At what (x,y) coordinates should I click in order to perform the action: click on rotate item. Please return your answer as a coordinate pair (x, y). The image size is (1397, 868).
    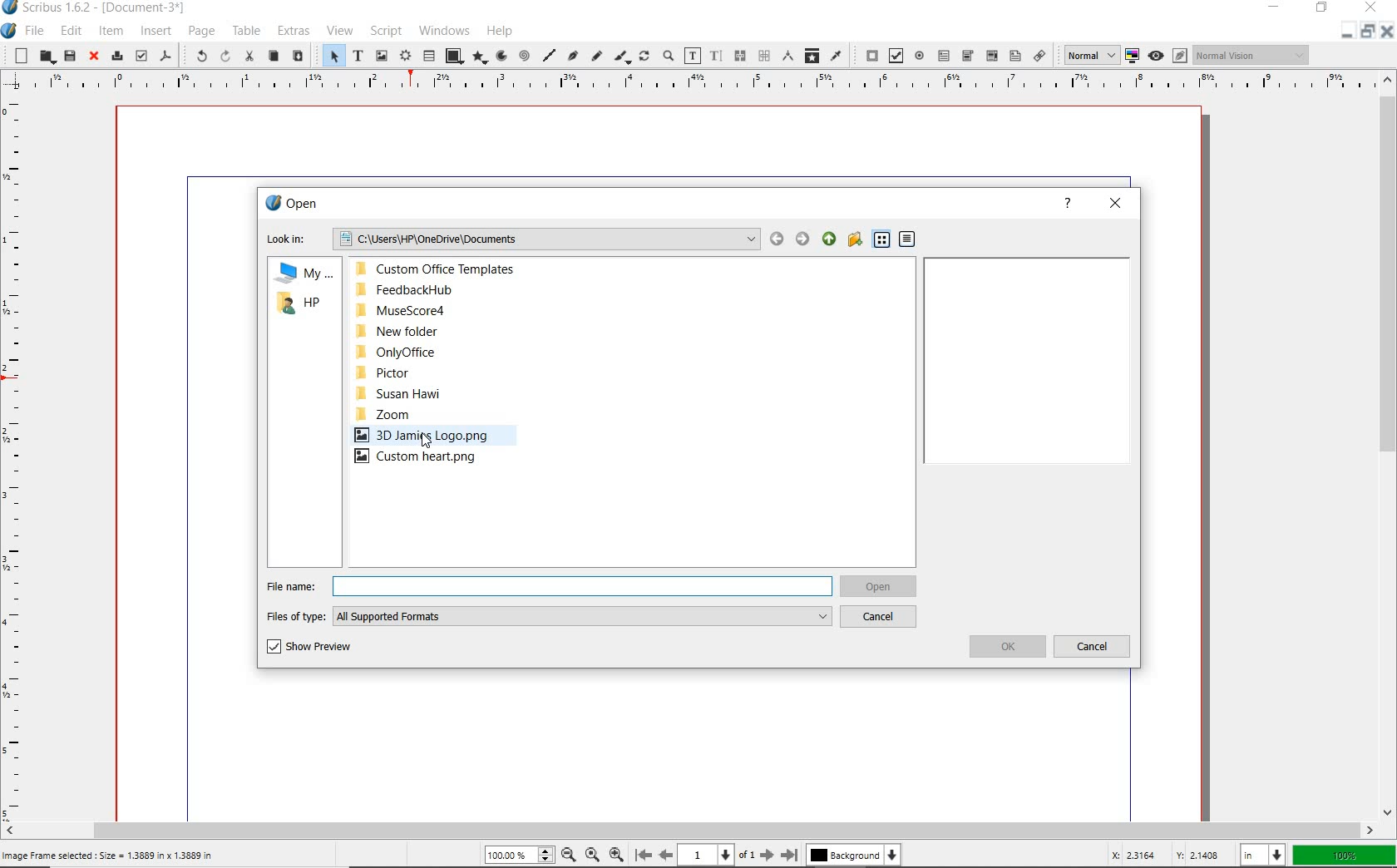
    Looking at the image, I should click on (644, 56).